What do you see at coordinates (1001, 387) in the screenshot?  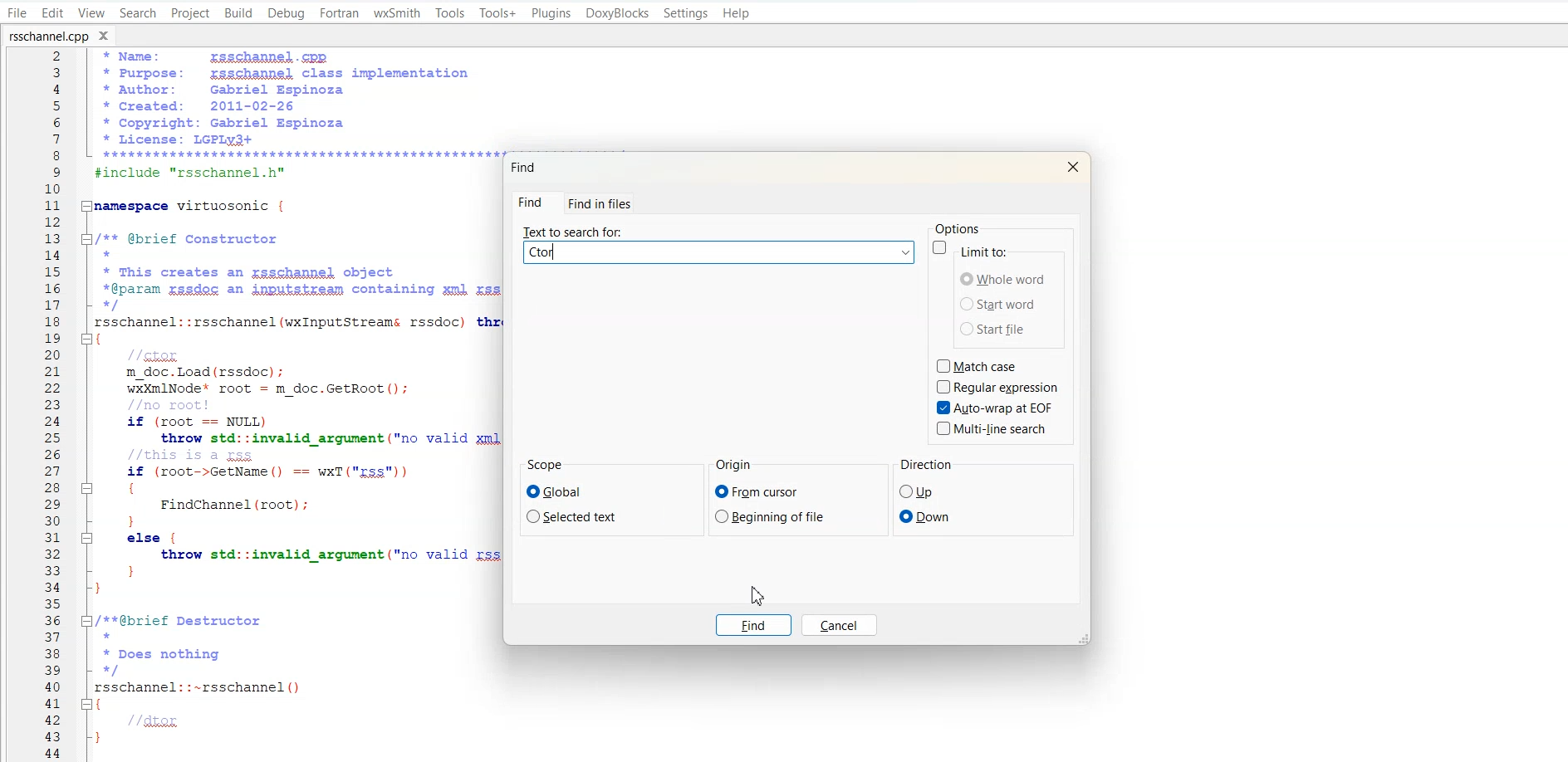 I see `Regular expression` at bounding box center [1001, 387].